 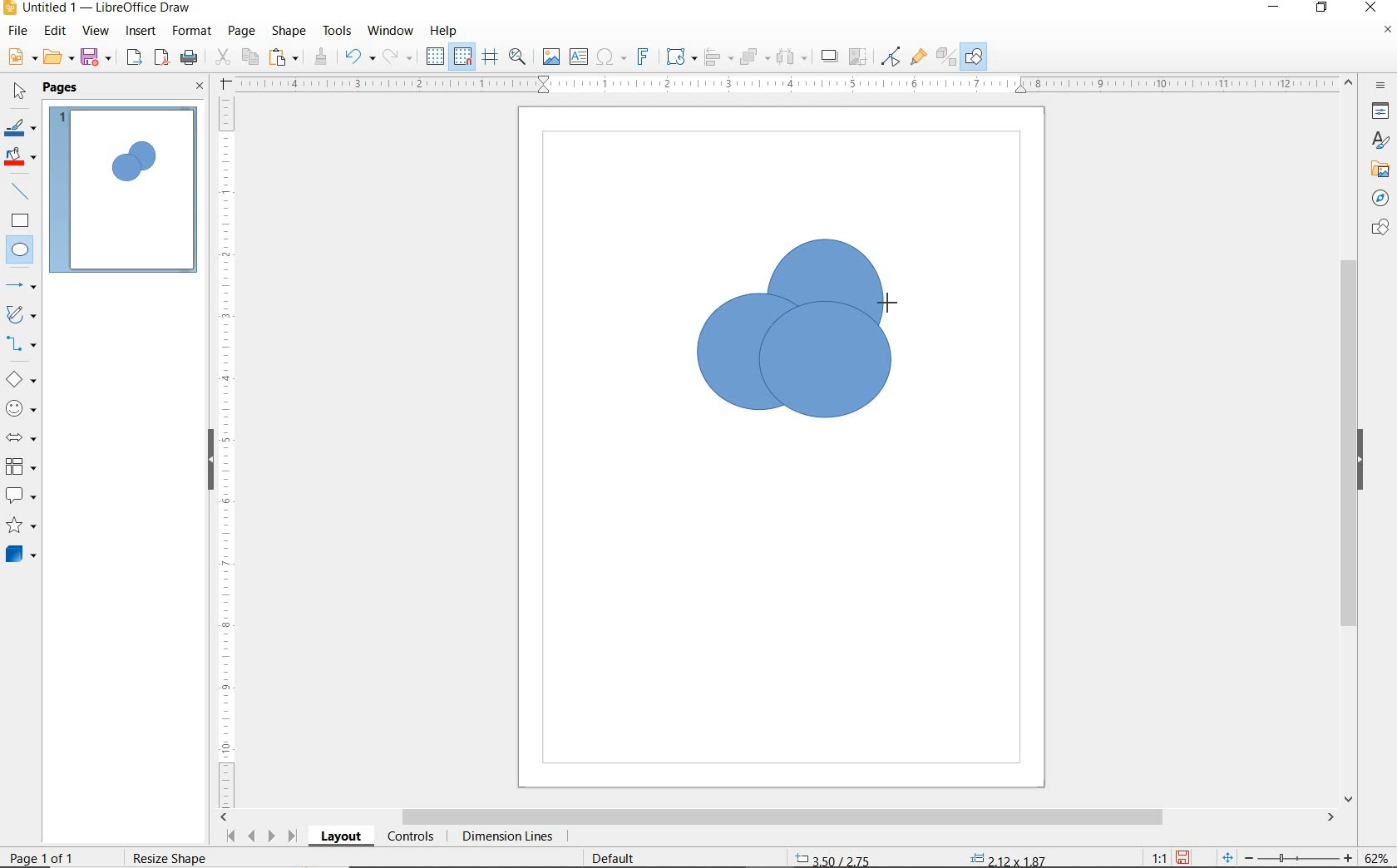 What do you see at coordinates (135, 58) in the screenshot?
I see `EXPORT` at bounding box center [135, 58].